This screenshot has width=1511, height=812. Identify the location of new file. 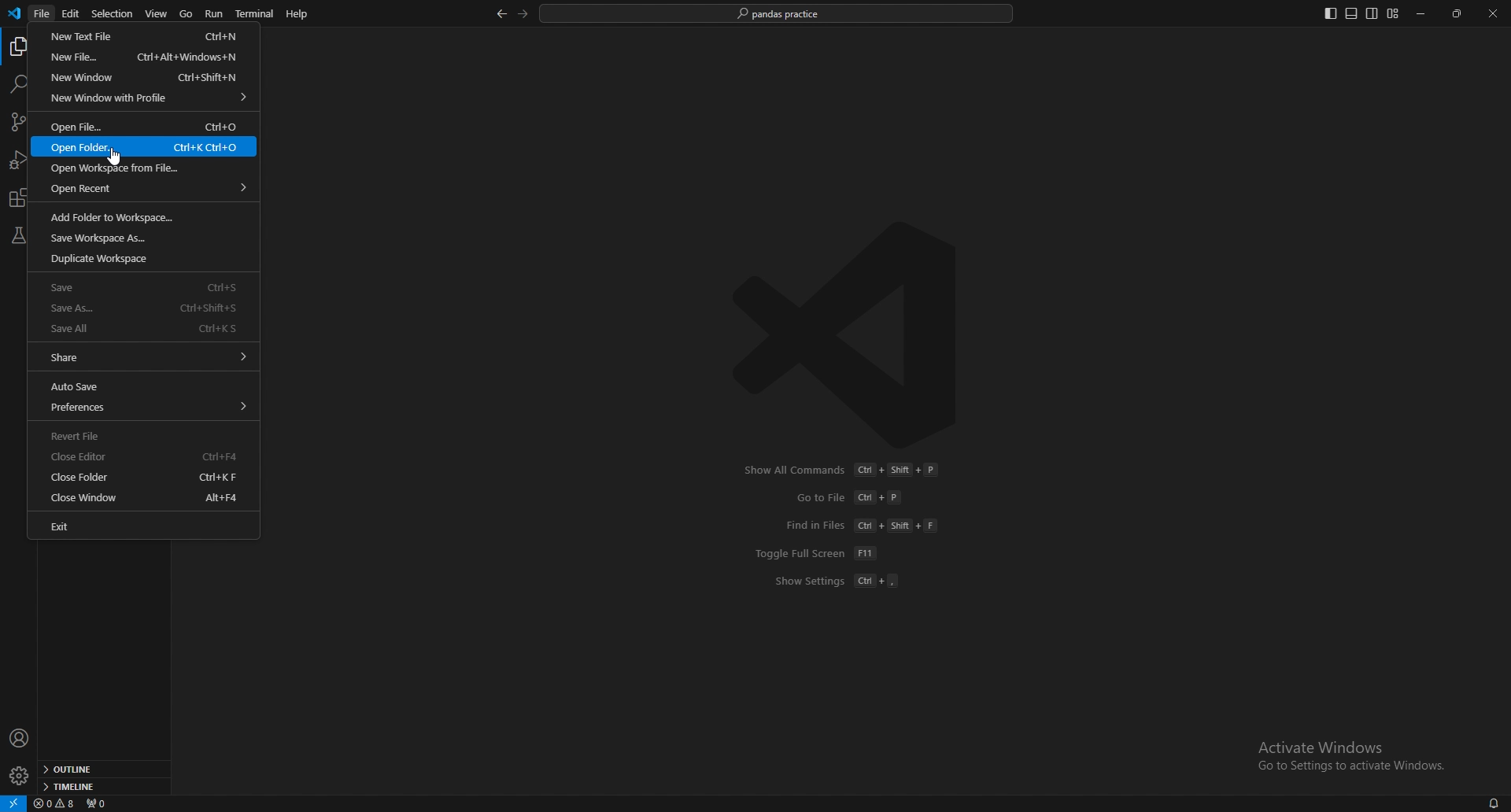
(142, 56).